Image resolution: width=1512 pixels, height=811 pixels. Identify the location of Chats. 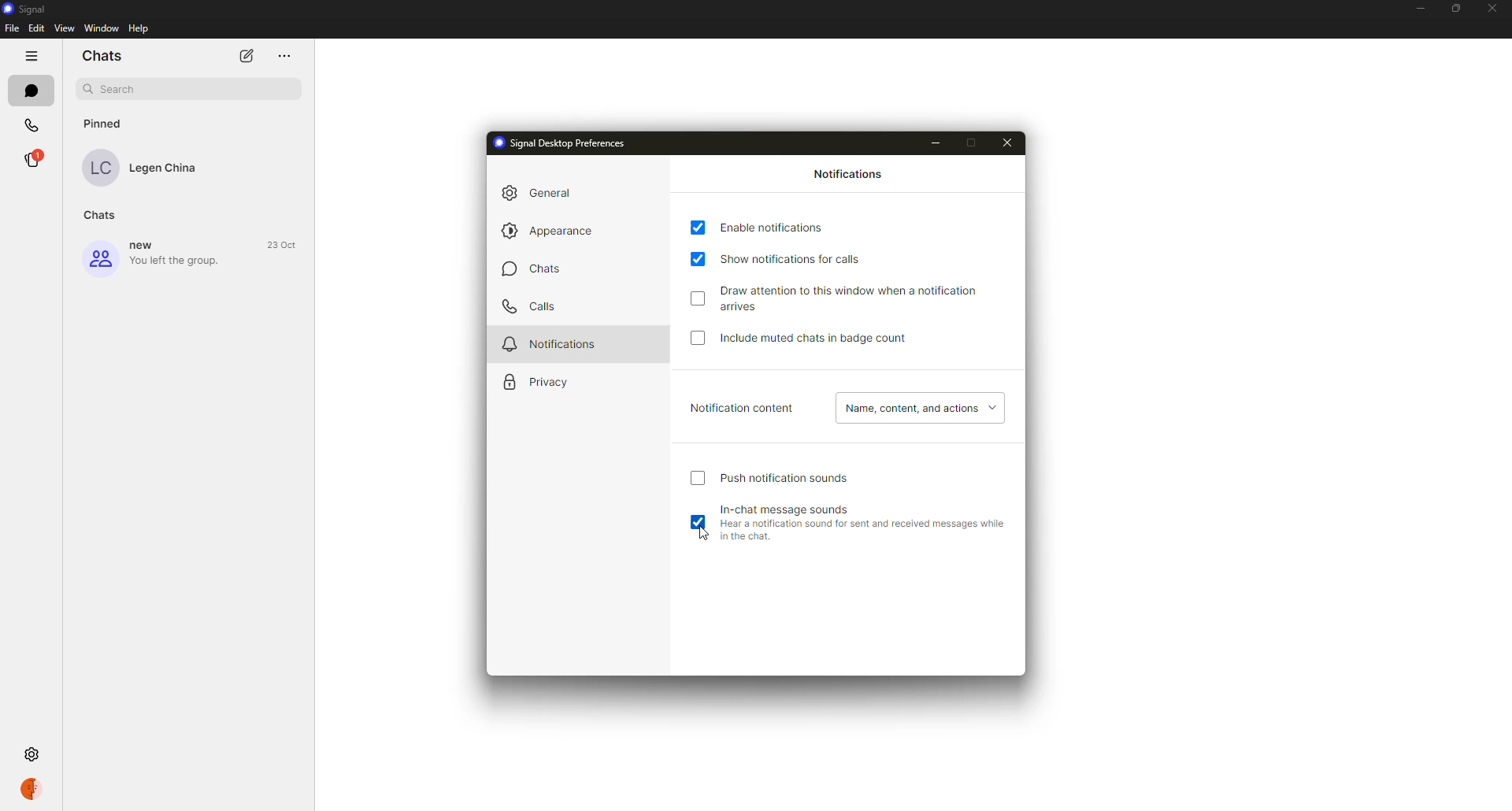
(102, 215).